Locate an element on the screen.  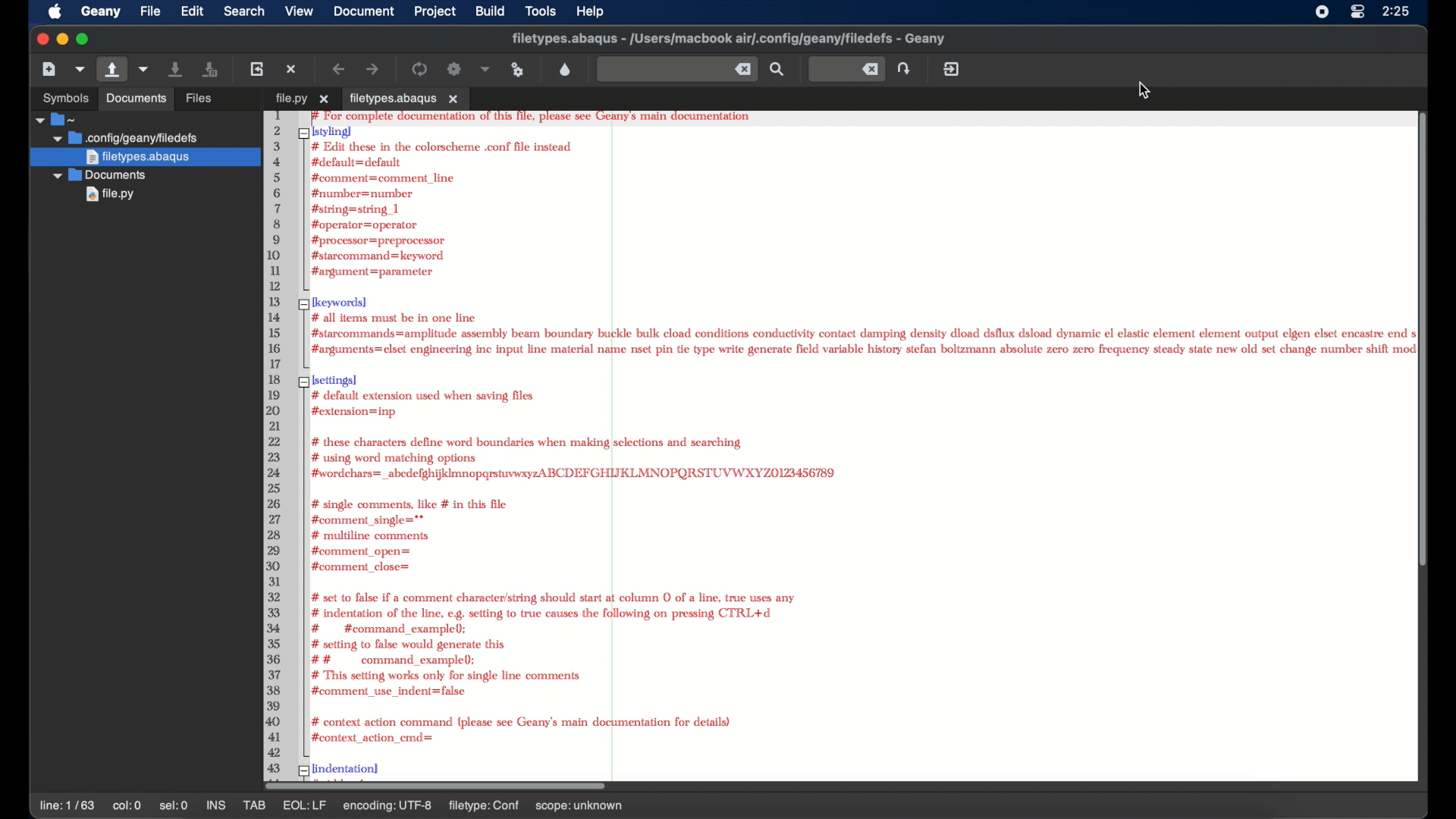
navigate backward a location is located at coordinates (340, 69).